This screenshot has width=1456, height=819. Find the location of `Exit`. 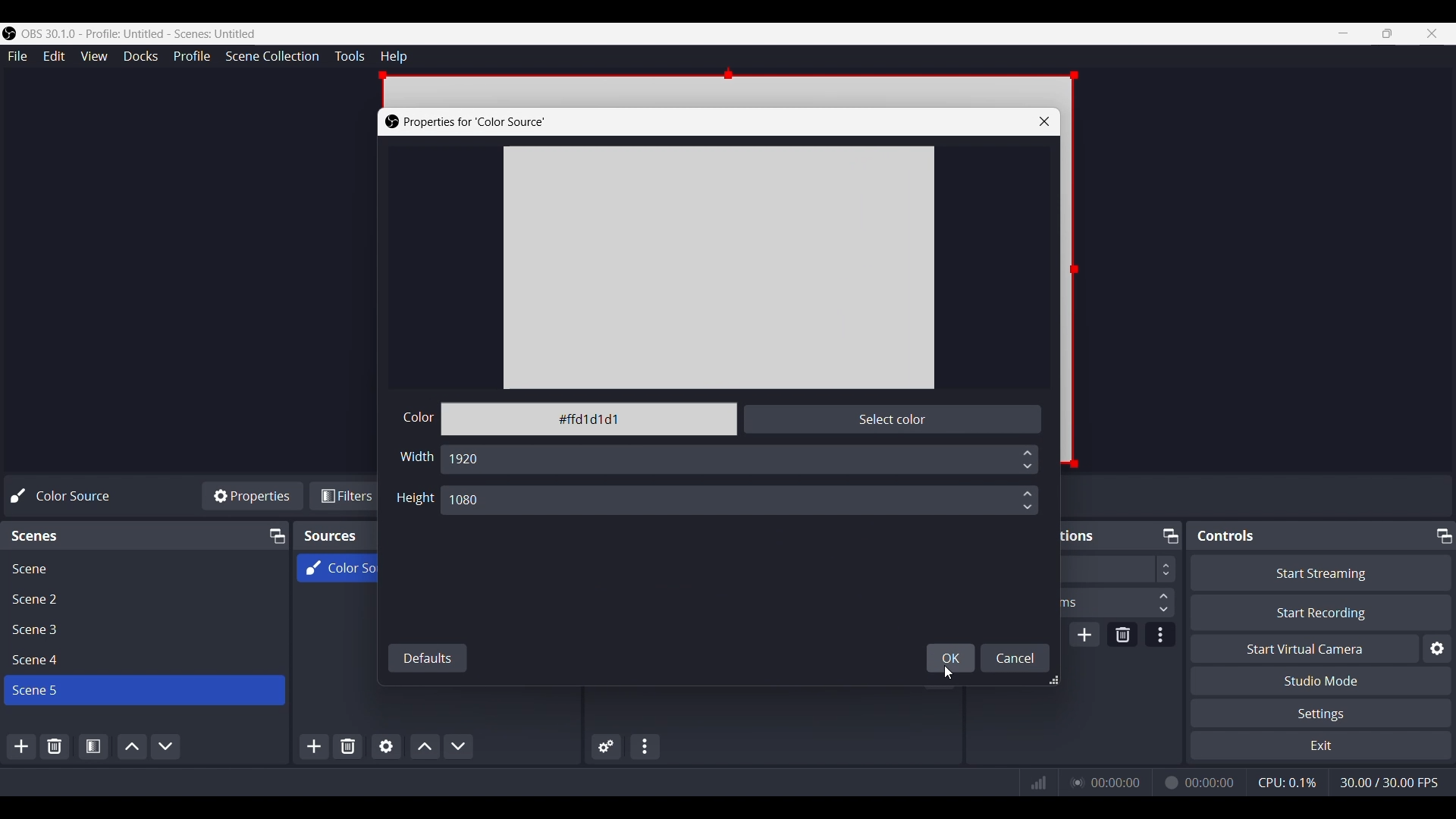

Exit is located at coordinates (1320, 746).